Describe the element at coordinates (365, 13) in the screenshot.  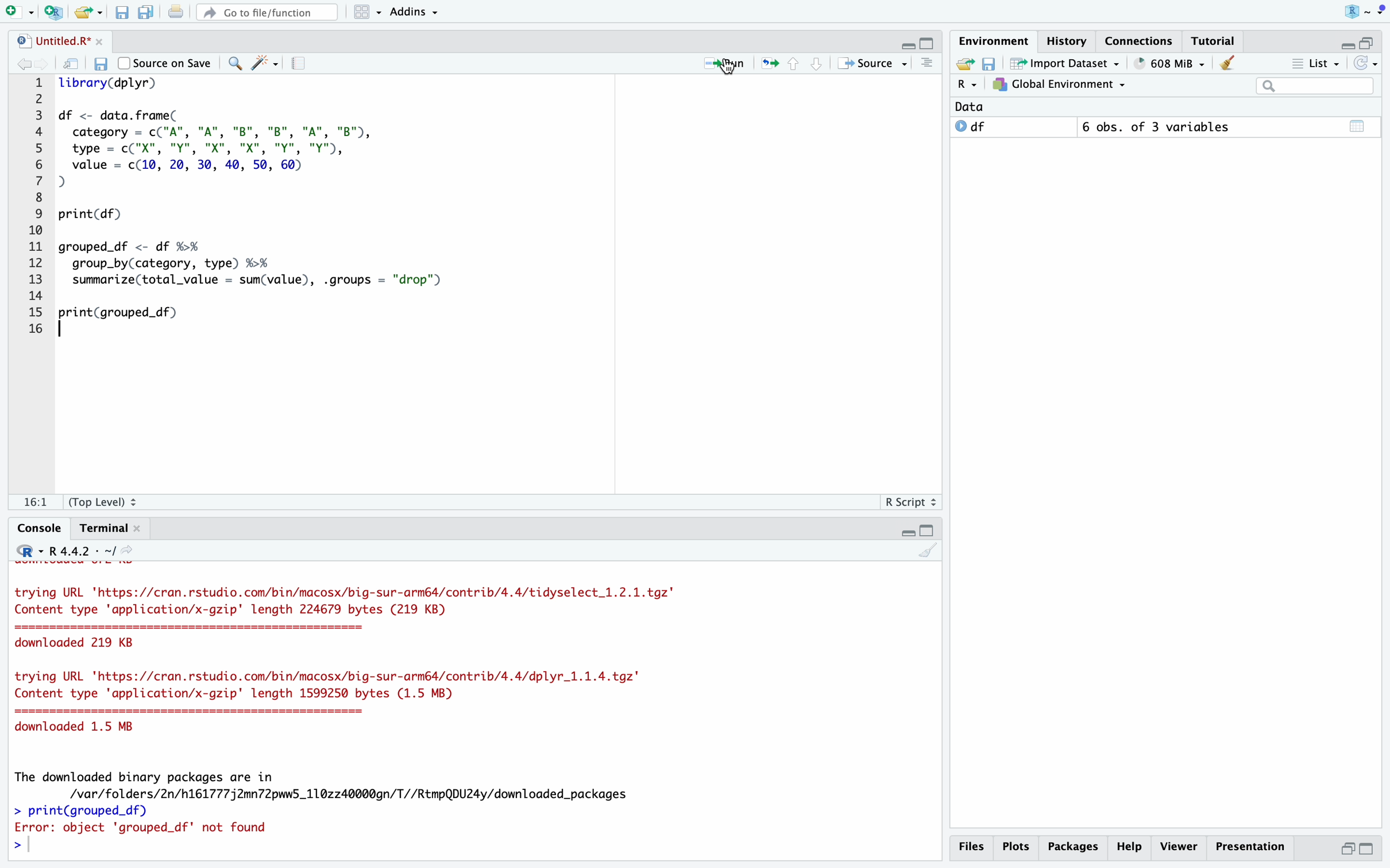
I see `Workspace panes` at that location.